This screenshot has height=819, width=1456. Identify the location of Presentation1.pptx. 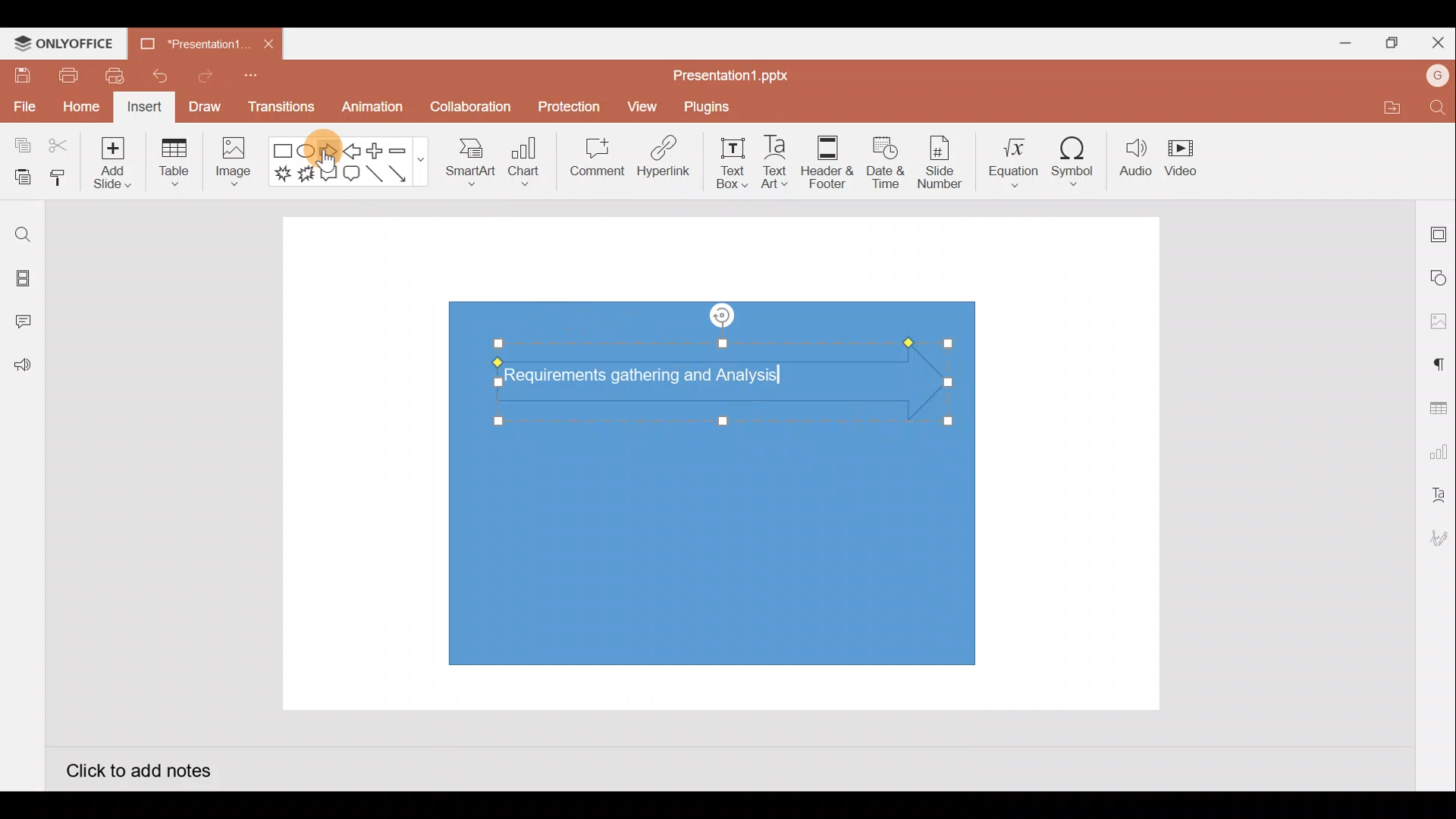
(736, 72).